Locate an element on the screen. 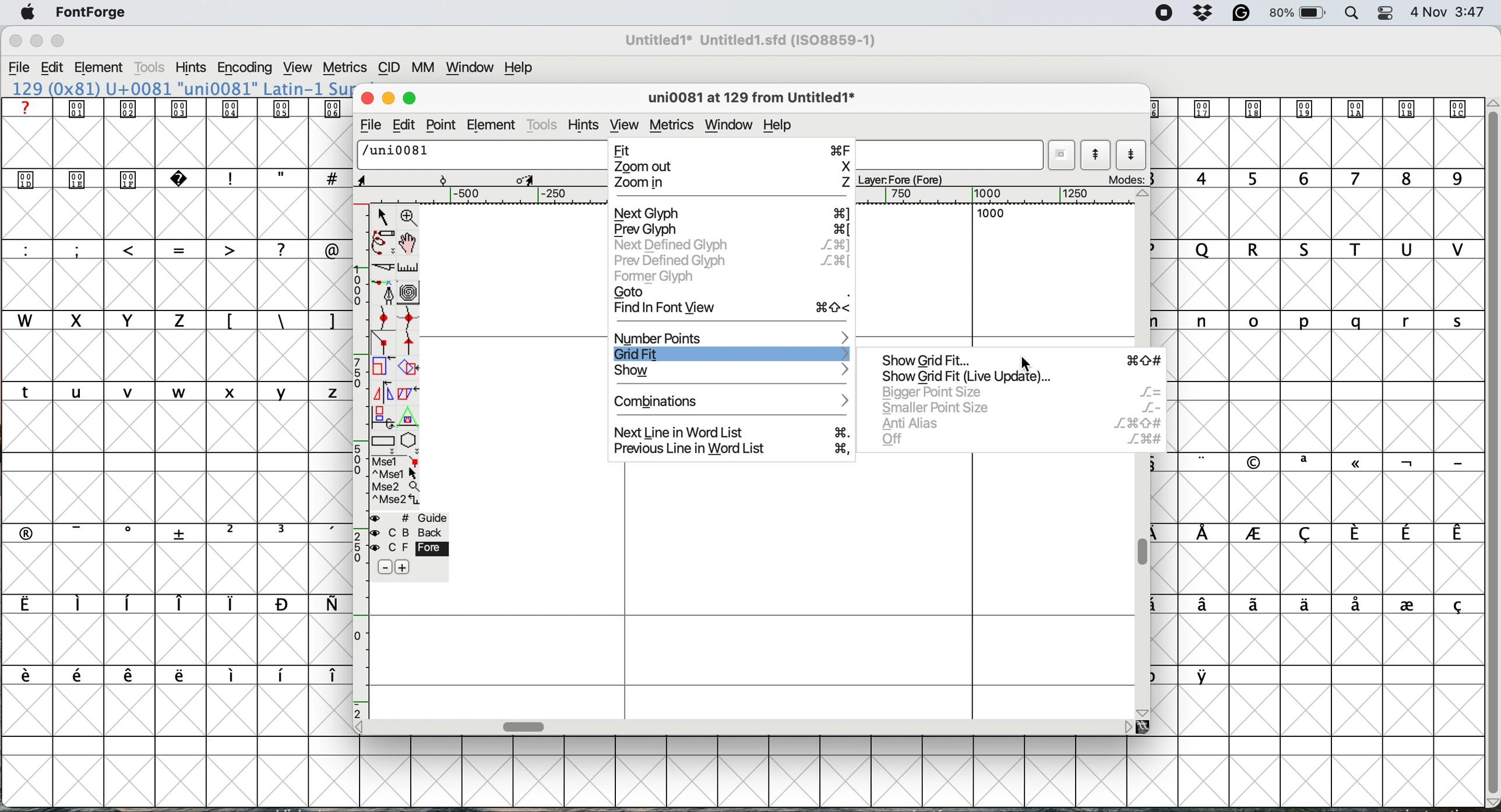 The height and width of the screenshot is (812, 1501). # Guide is located at coordinates (411, 518).